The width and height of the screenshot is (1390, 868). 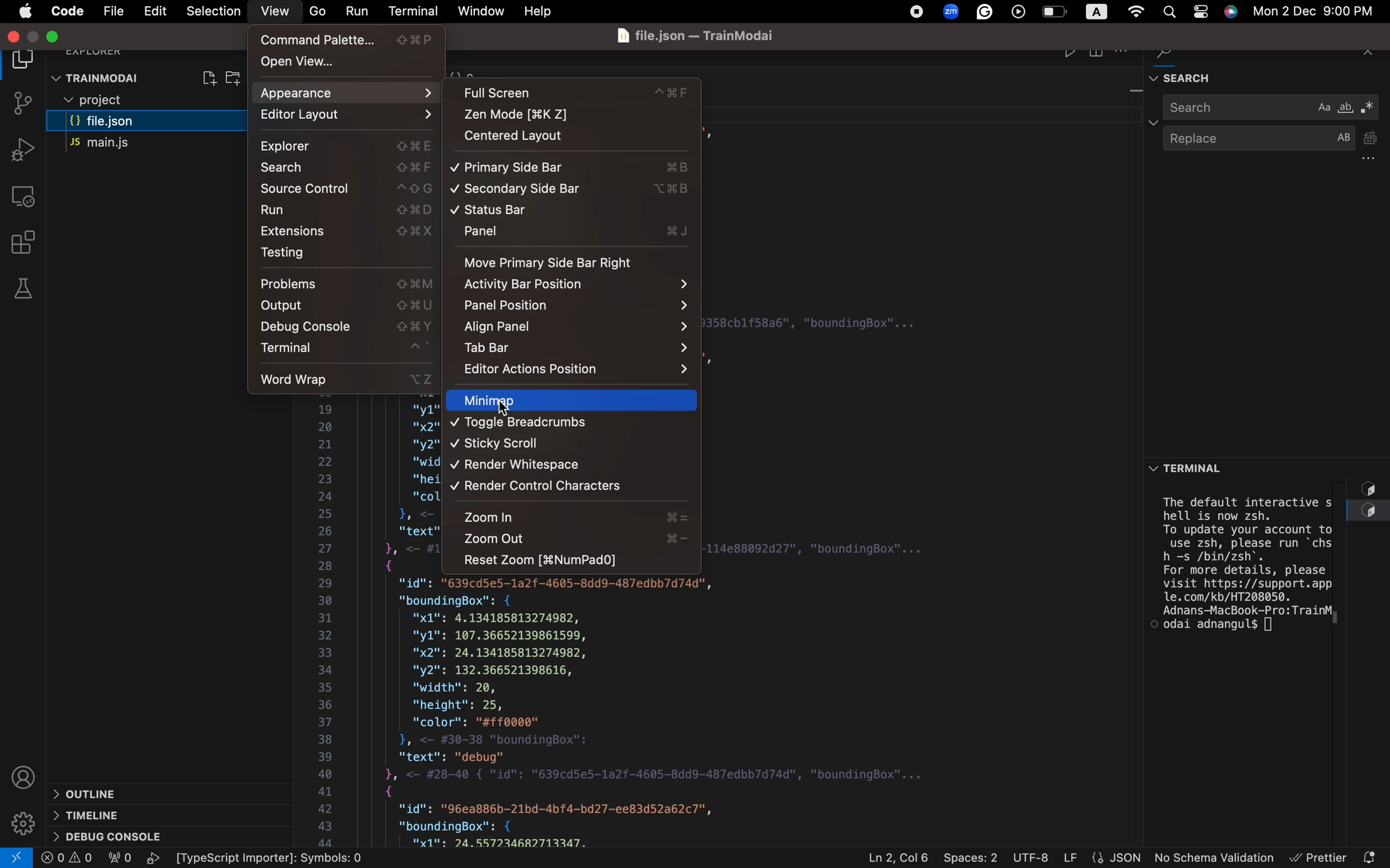 I want to click on zoom in, so click(x=573, y=518).